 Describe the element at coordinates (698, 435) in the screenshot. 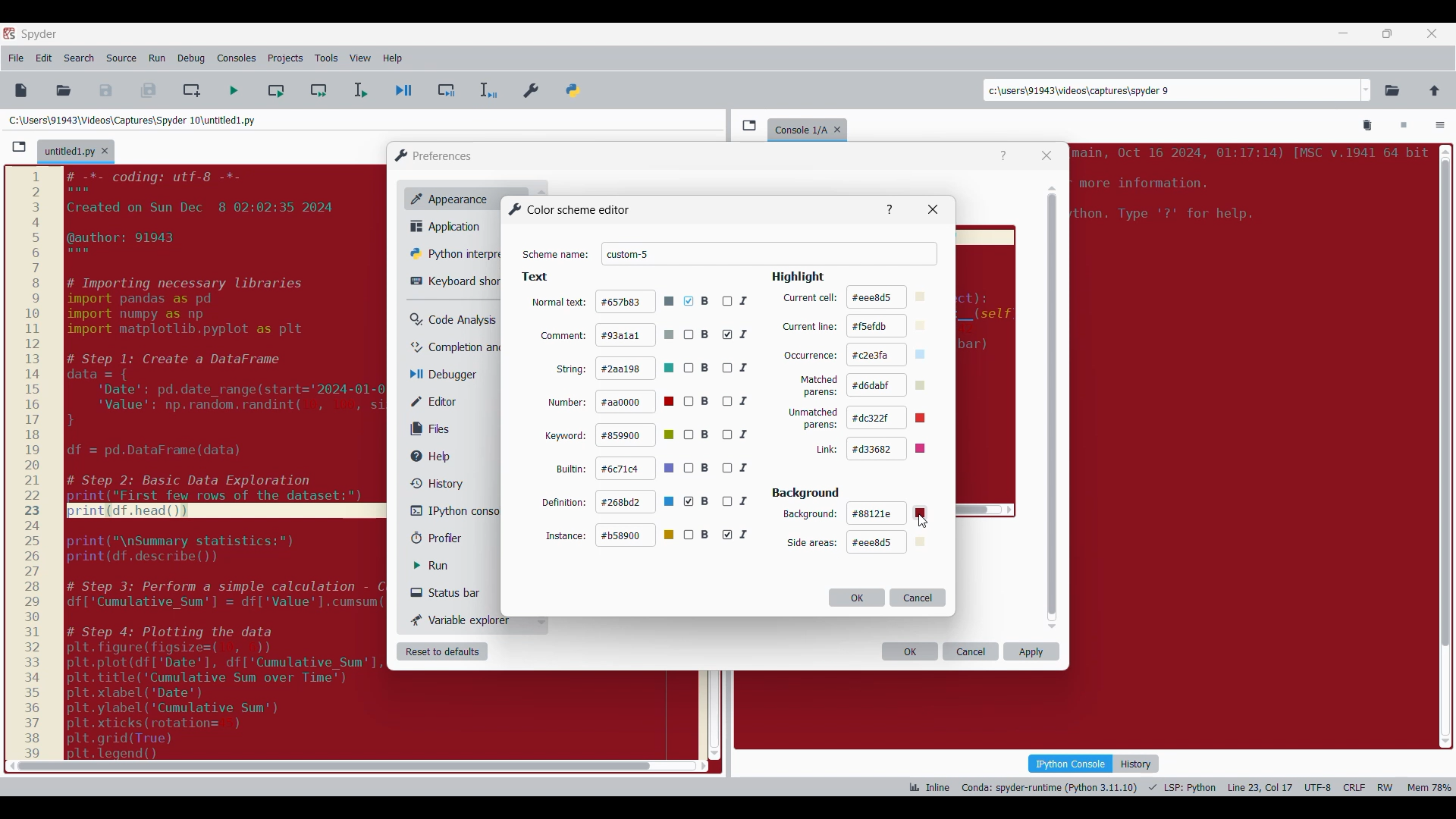

I see `B` at that location.